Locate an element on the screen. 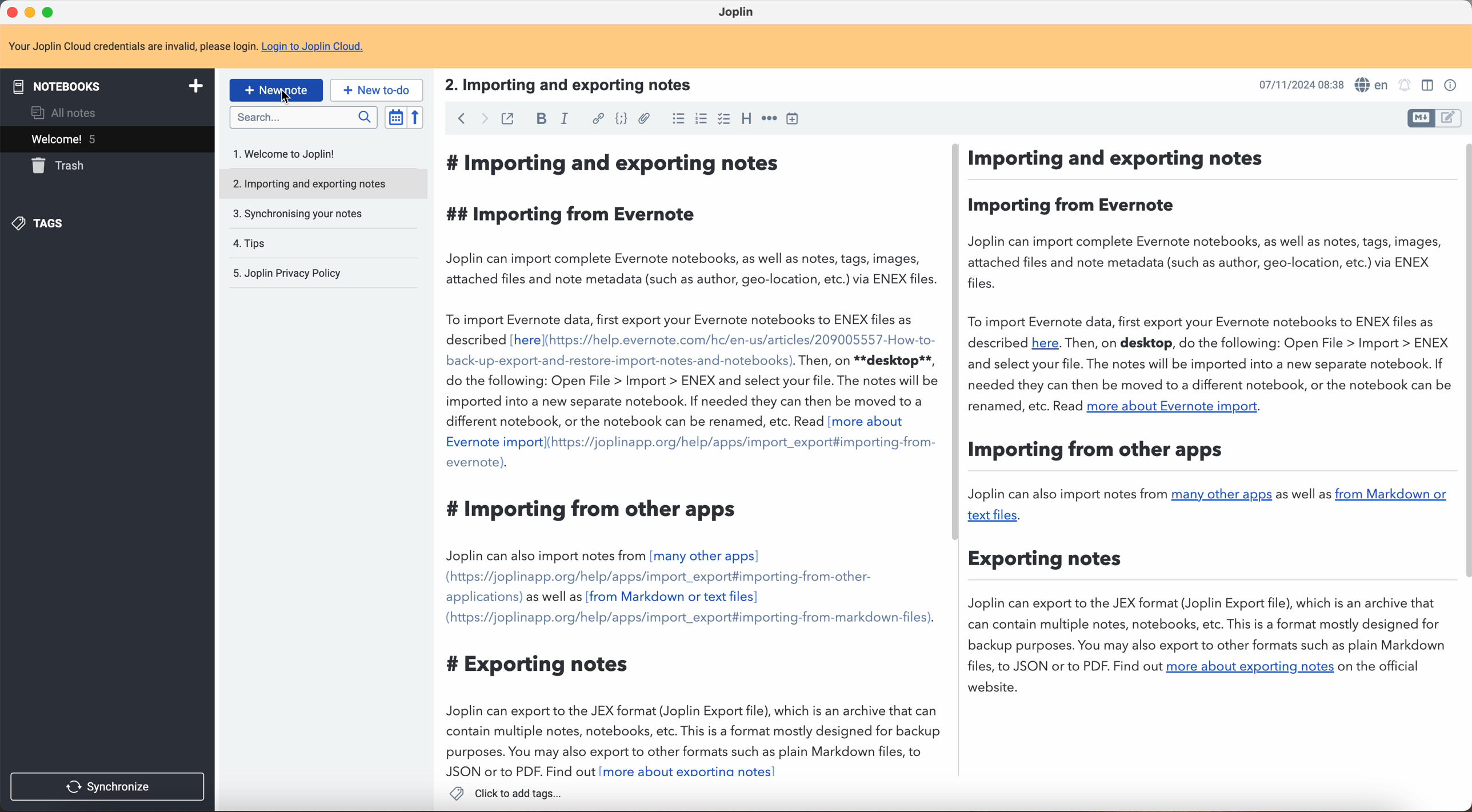 The height and width of the screenshot is (812, 1472). italic is located at coordinates (567, 120).